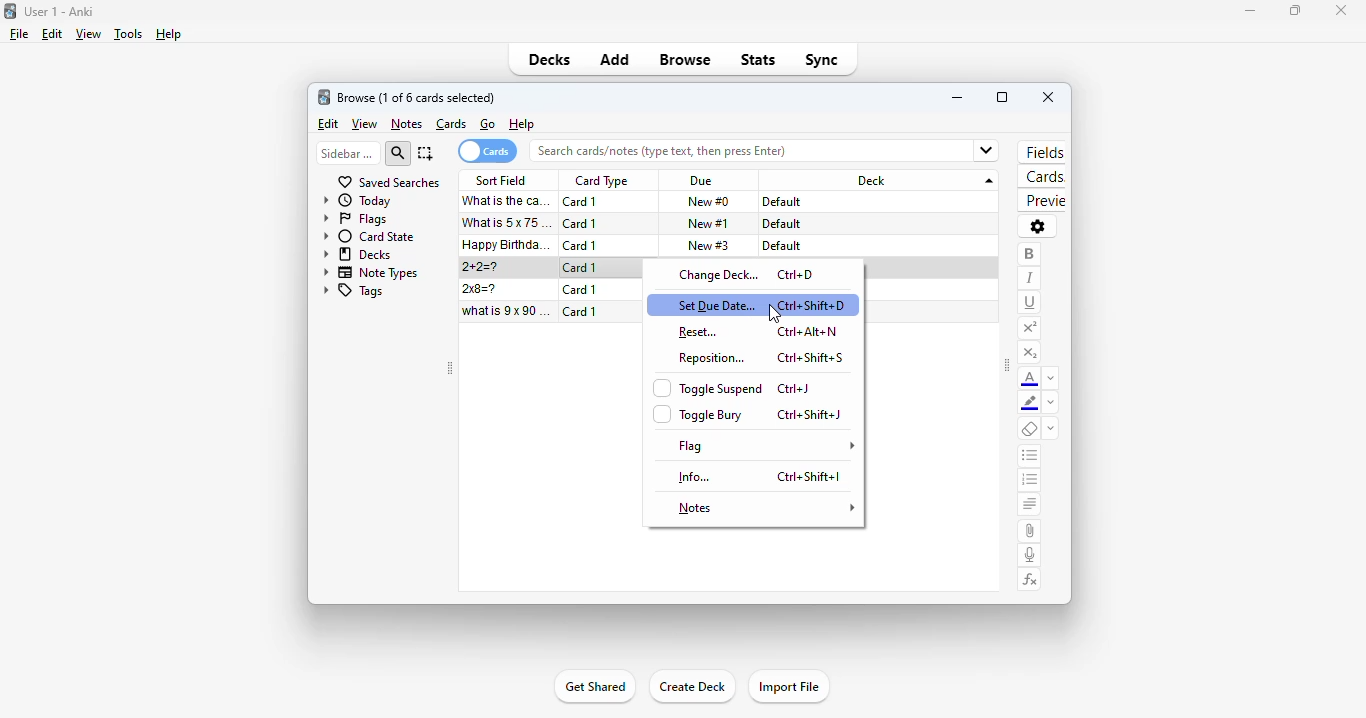 Image resolution: width=1366 pixels, height=718 pixels. What do you see at coordinates (1051, 378) in the screenshot?
I see `change color` at bounding box center [1051, 378].